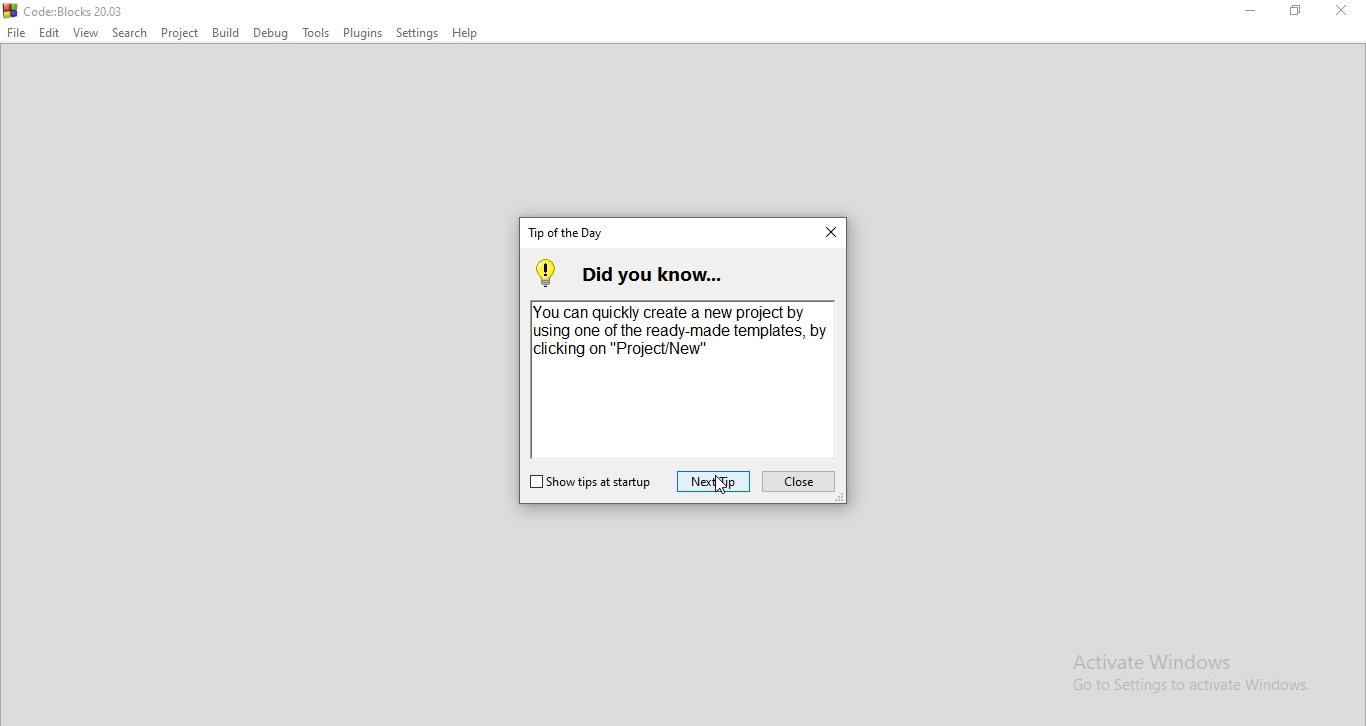  What do you see at coordinates (178, 33) in the screenshot?
I see `Plugins ` at bounding box center [178, 33].